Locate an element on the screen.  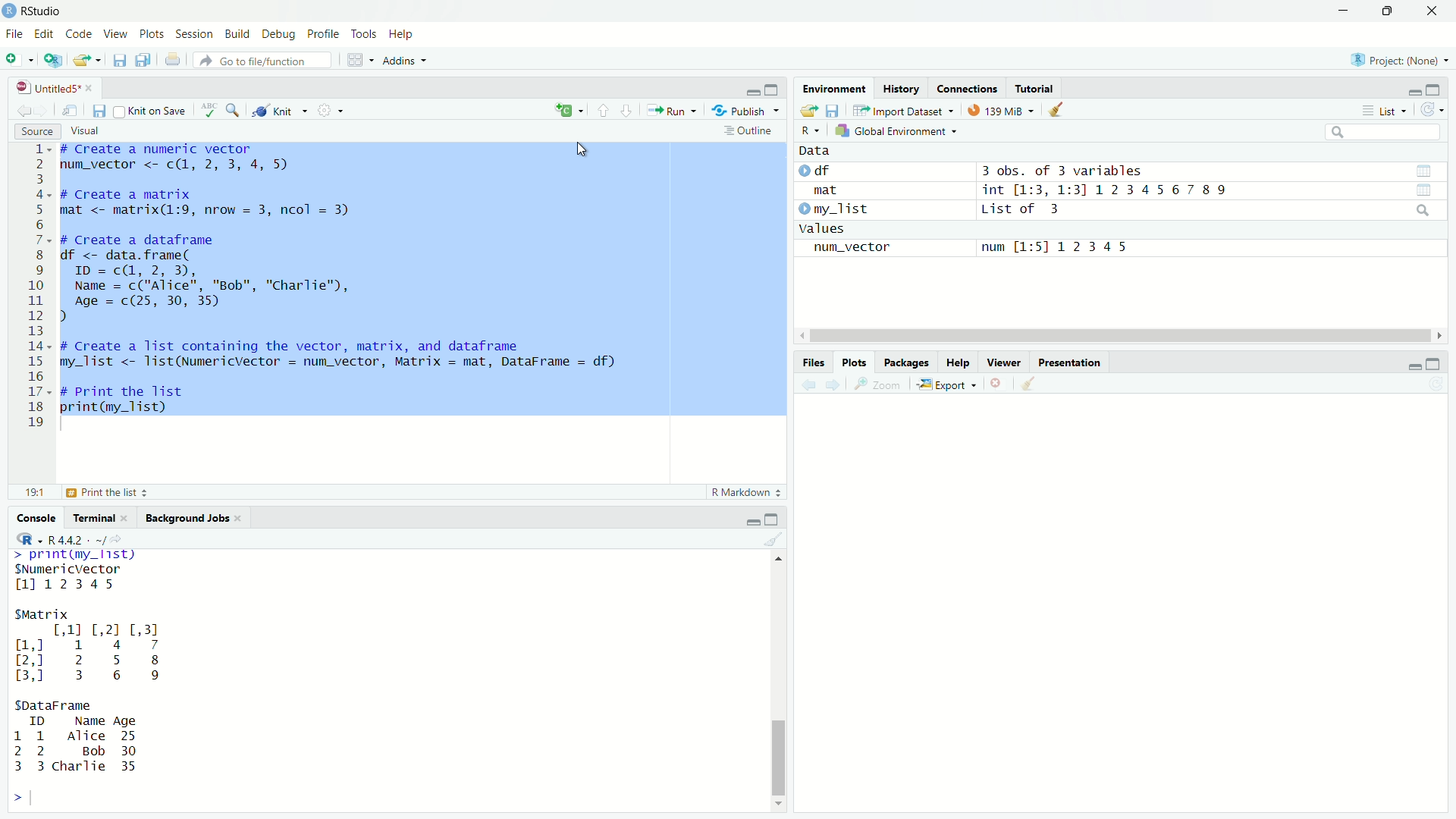
downward is located at coordinates (632, 110).